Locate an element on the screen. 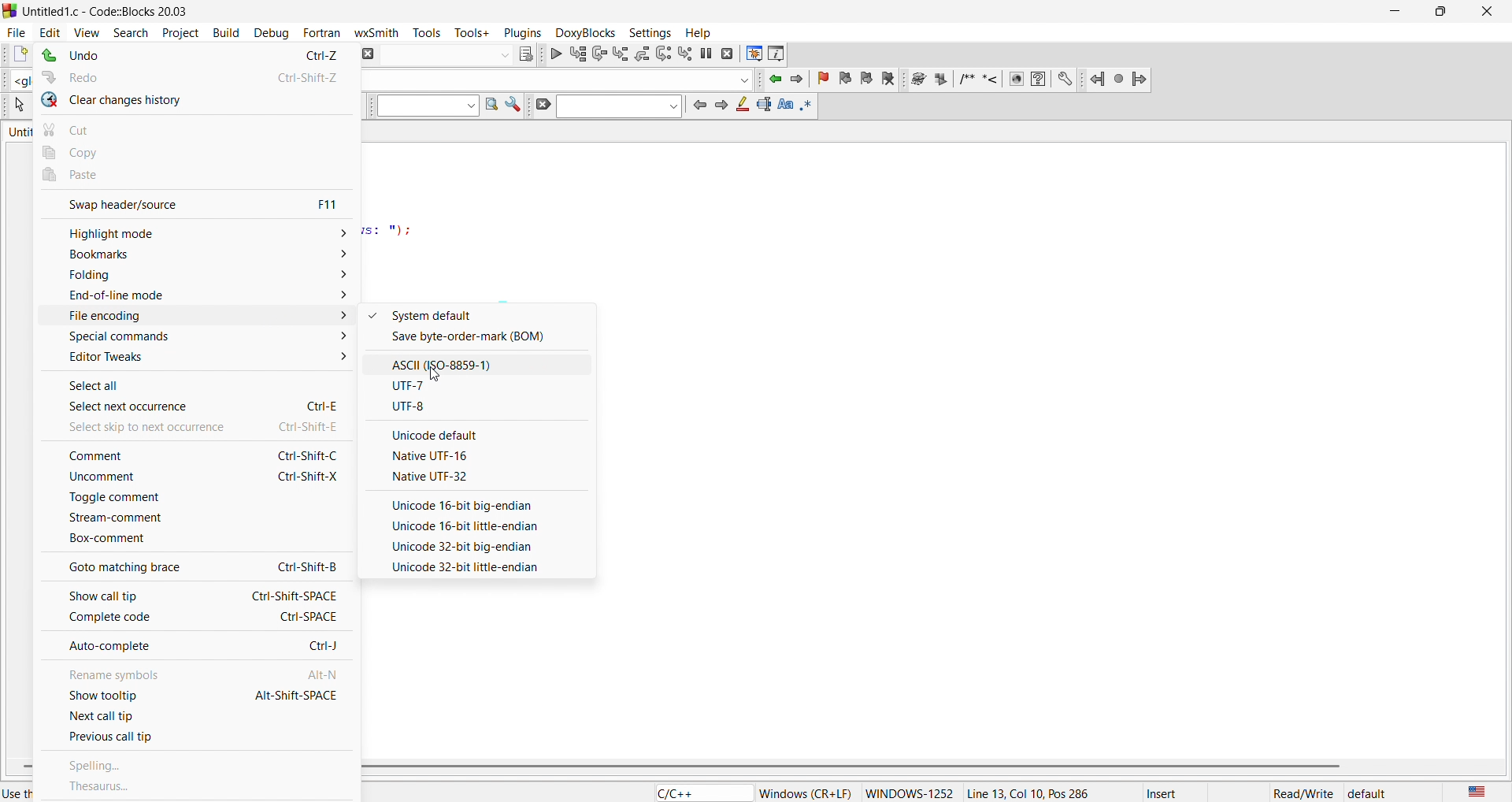  goto matching brace is located at coordinates (192, 567).